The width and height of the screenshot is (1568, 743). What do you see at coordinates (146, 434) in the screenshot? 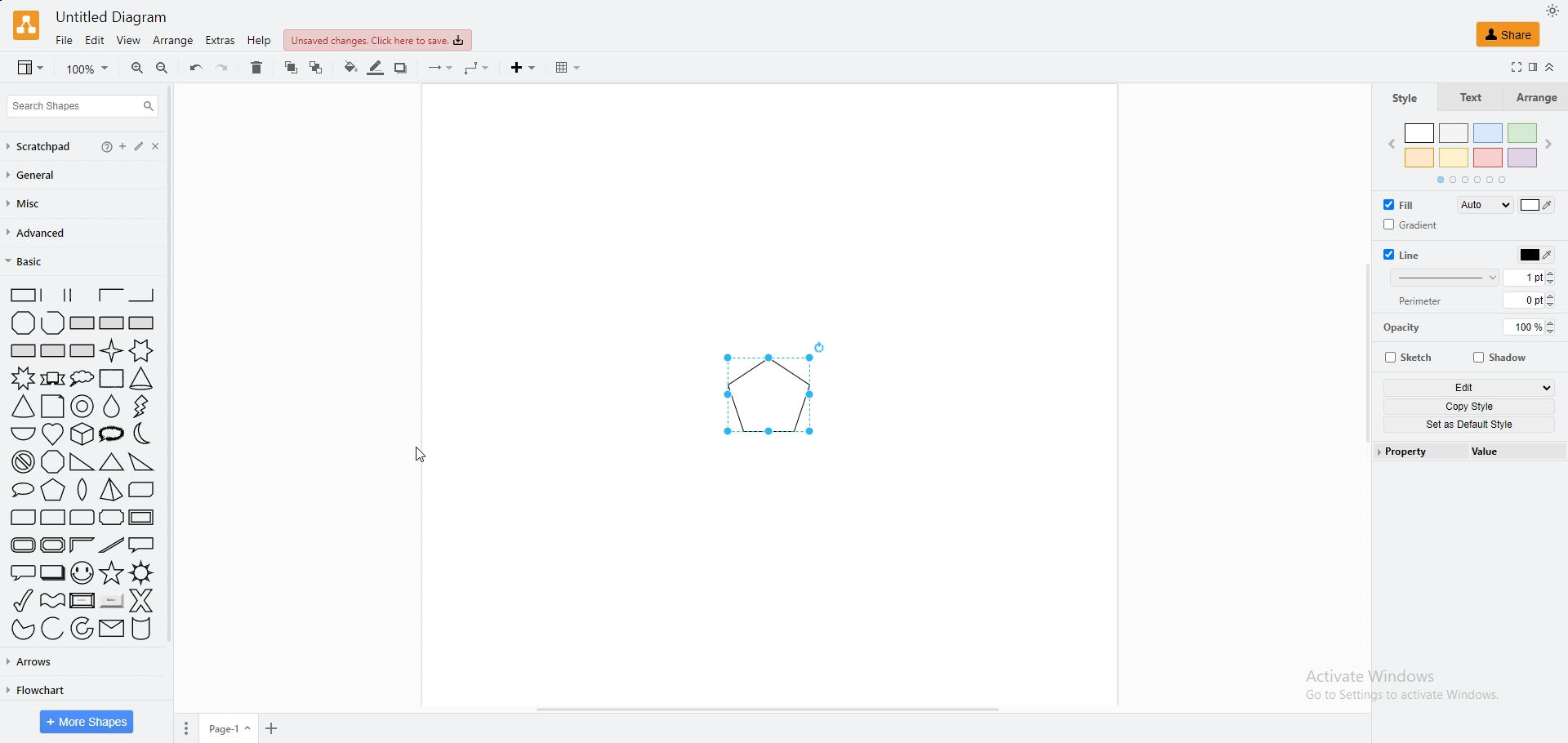
I see `moon` at bounding box center [146, 434].